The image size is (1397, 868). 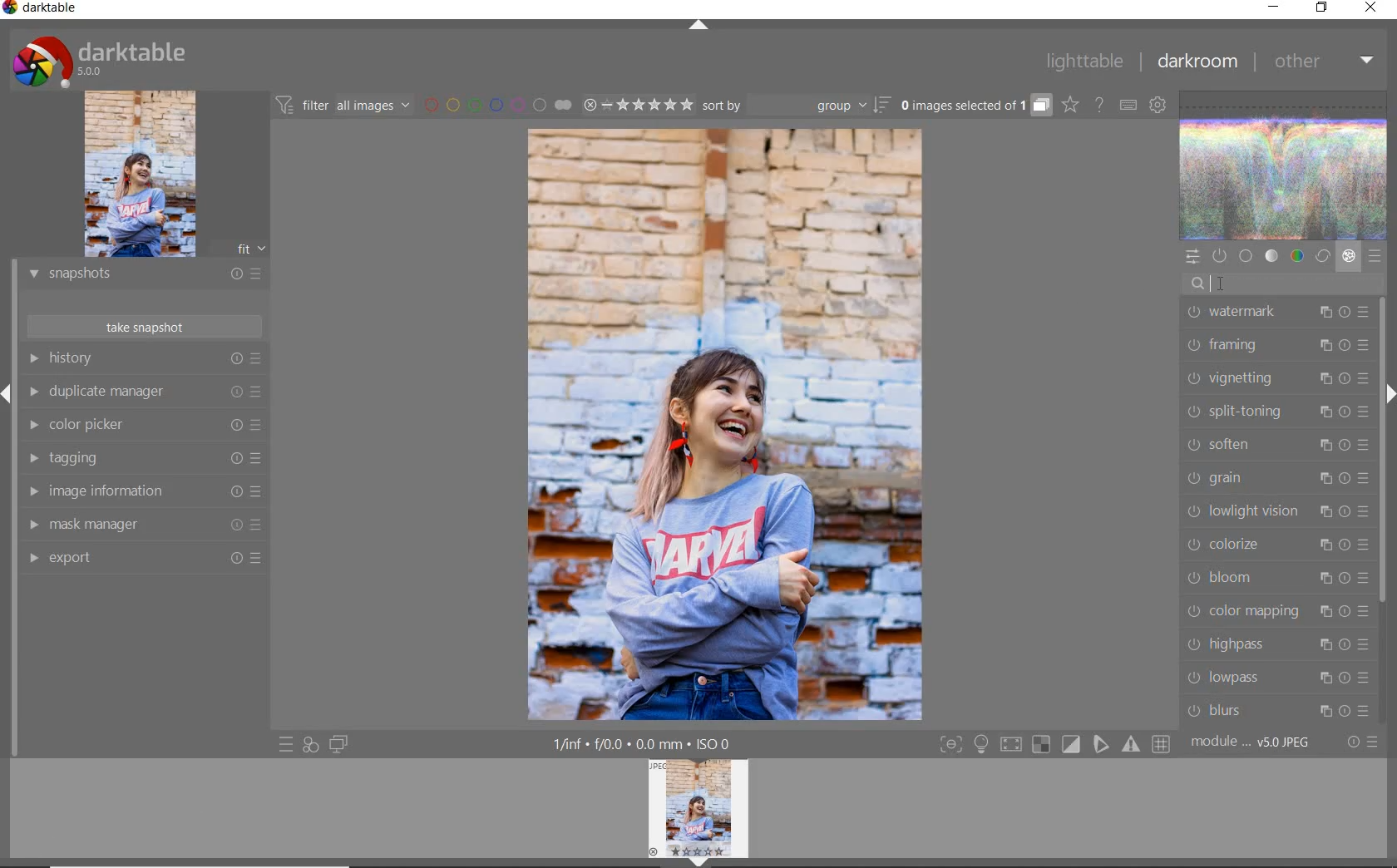 I want to click on range ratings for selected images, so click(x=638, y=104).